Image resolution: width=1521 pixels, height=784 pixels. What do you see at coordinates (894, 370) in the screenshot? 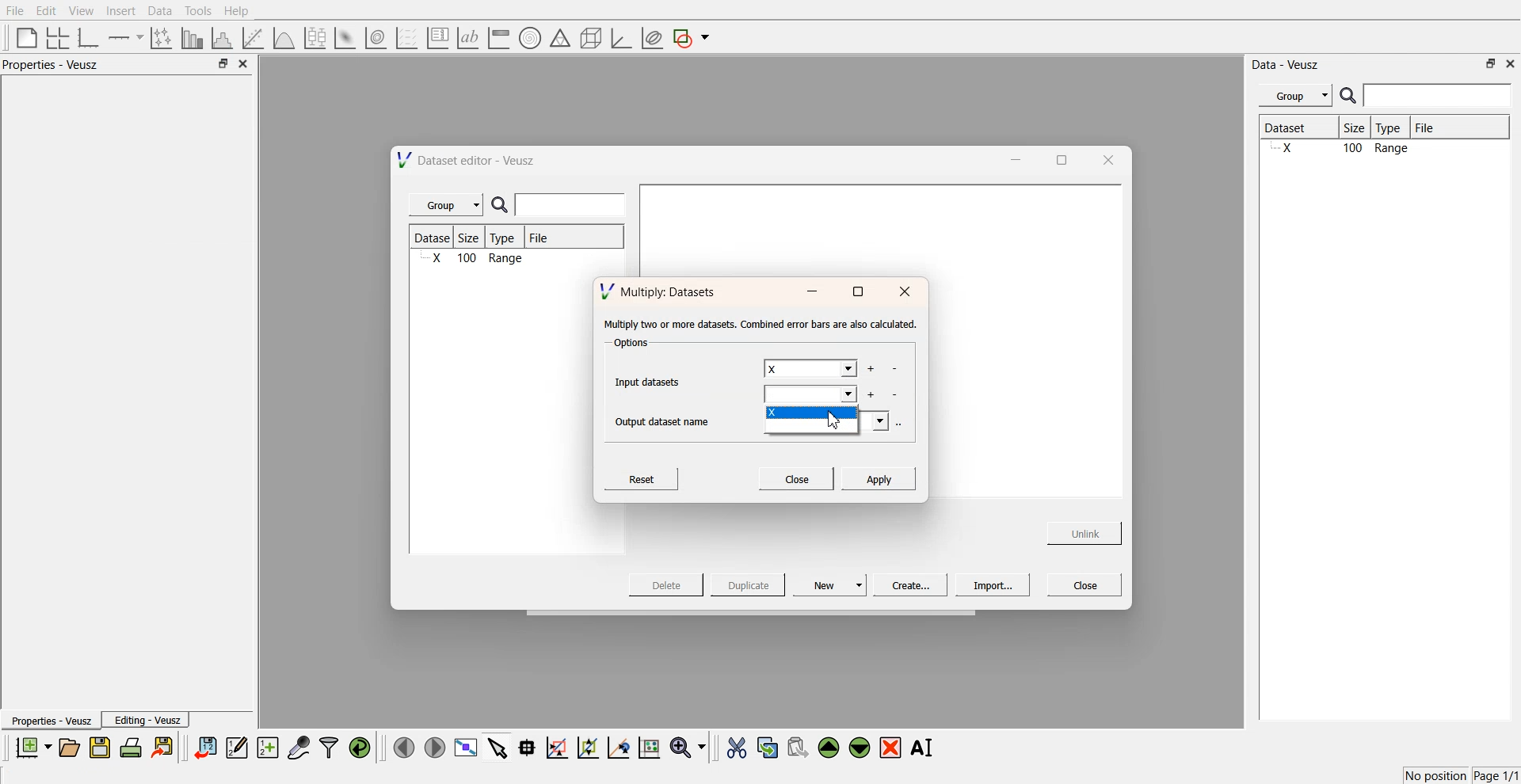
I see `delete datasets` at bounding box center [894, 370].